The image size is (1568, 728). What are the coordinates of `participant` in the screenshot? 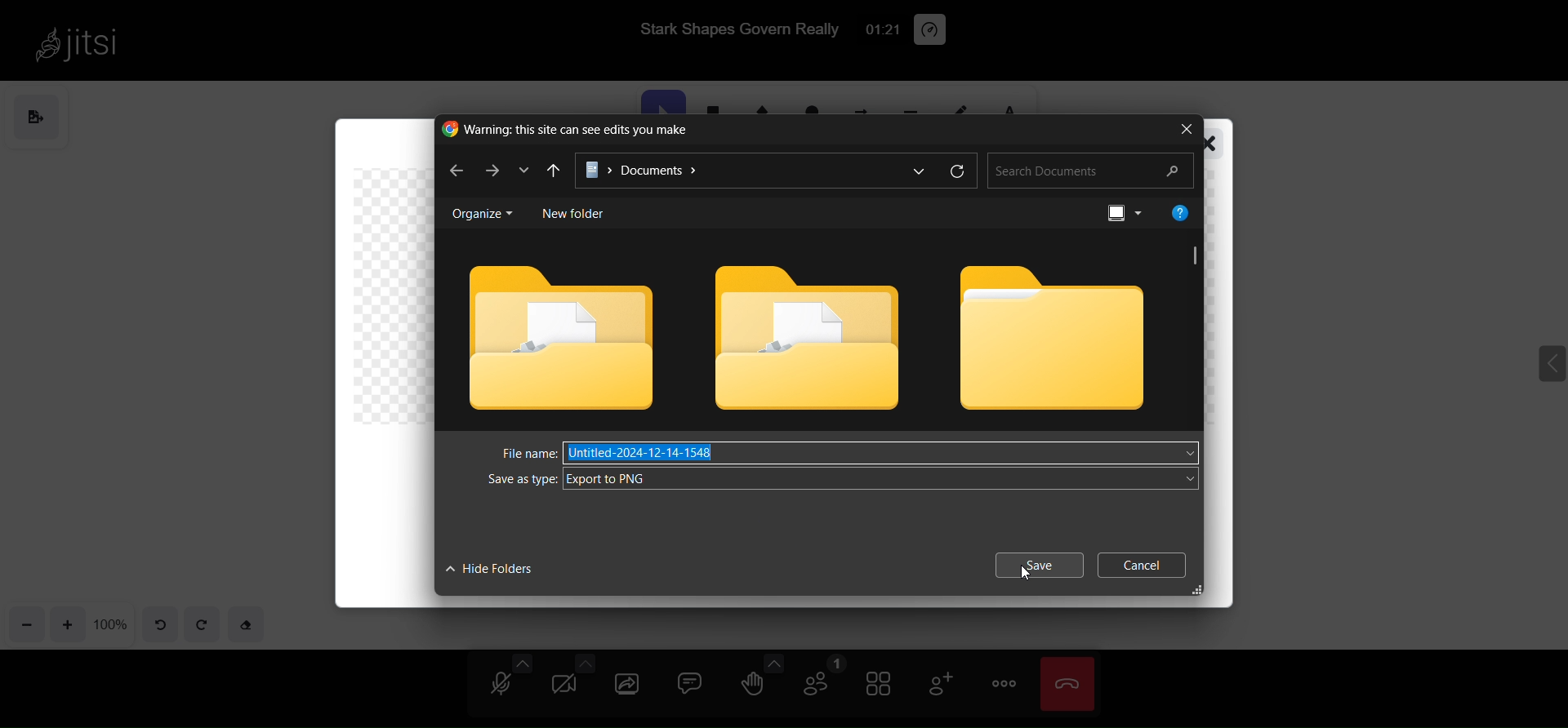 It's located at (820, 680).